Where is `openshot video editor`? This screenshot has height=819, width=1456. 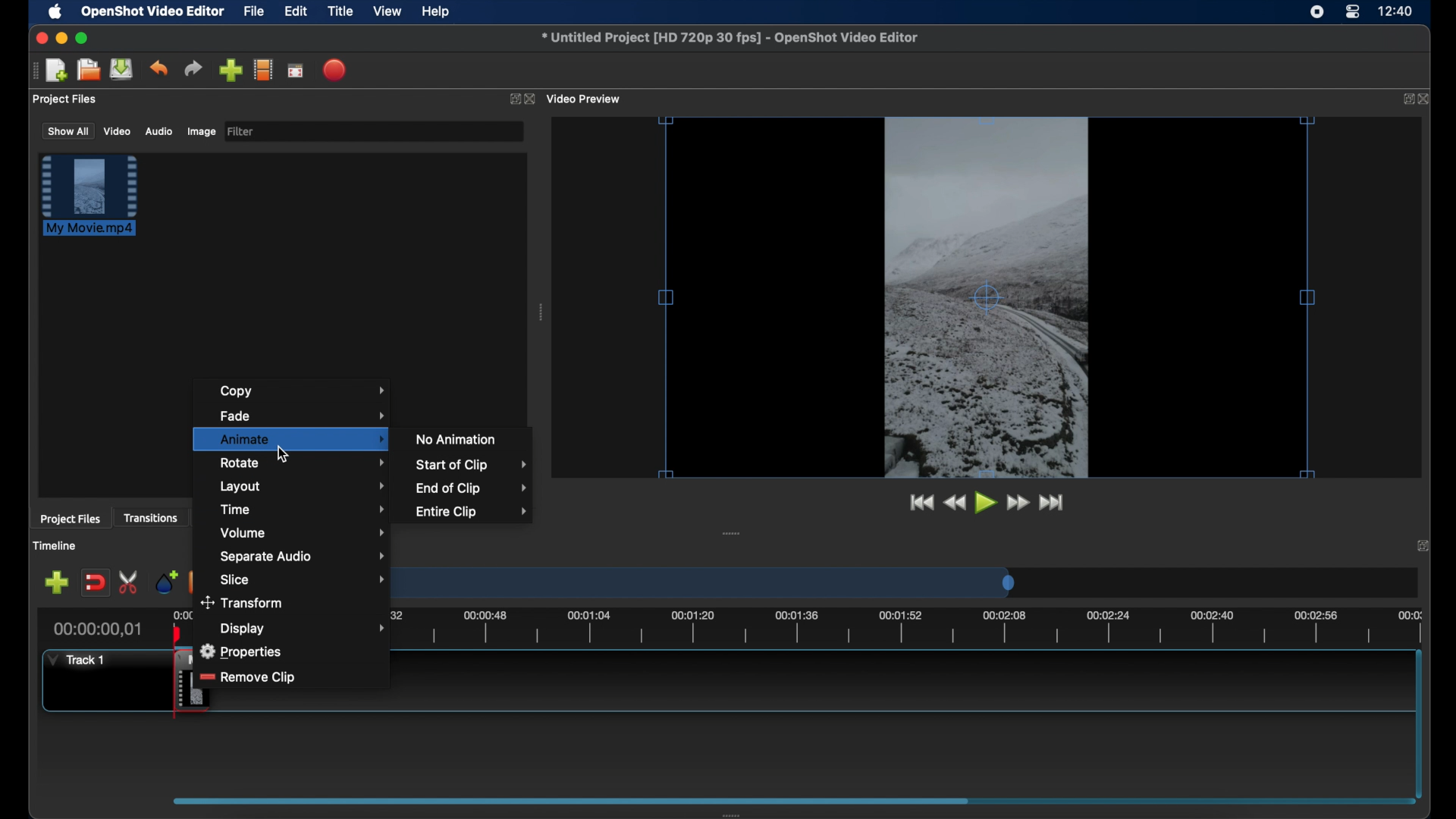
openshot video editor is located at coordinates (154, 12).